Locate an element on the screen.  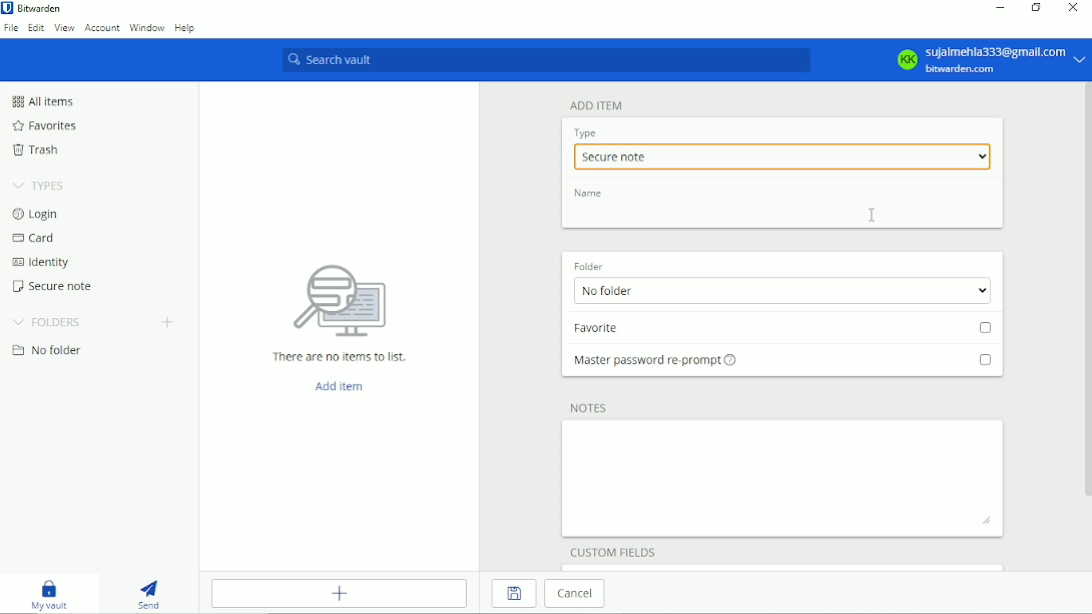
Help is located at coordinates (185, 26).